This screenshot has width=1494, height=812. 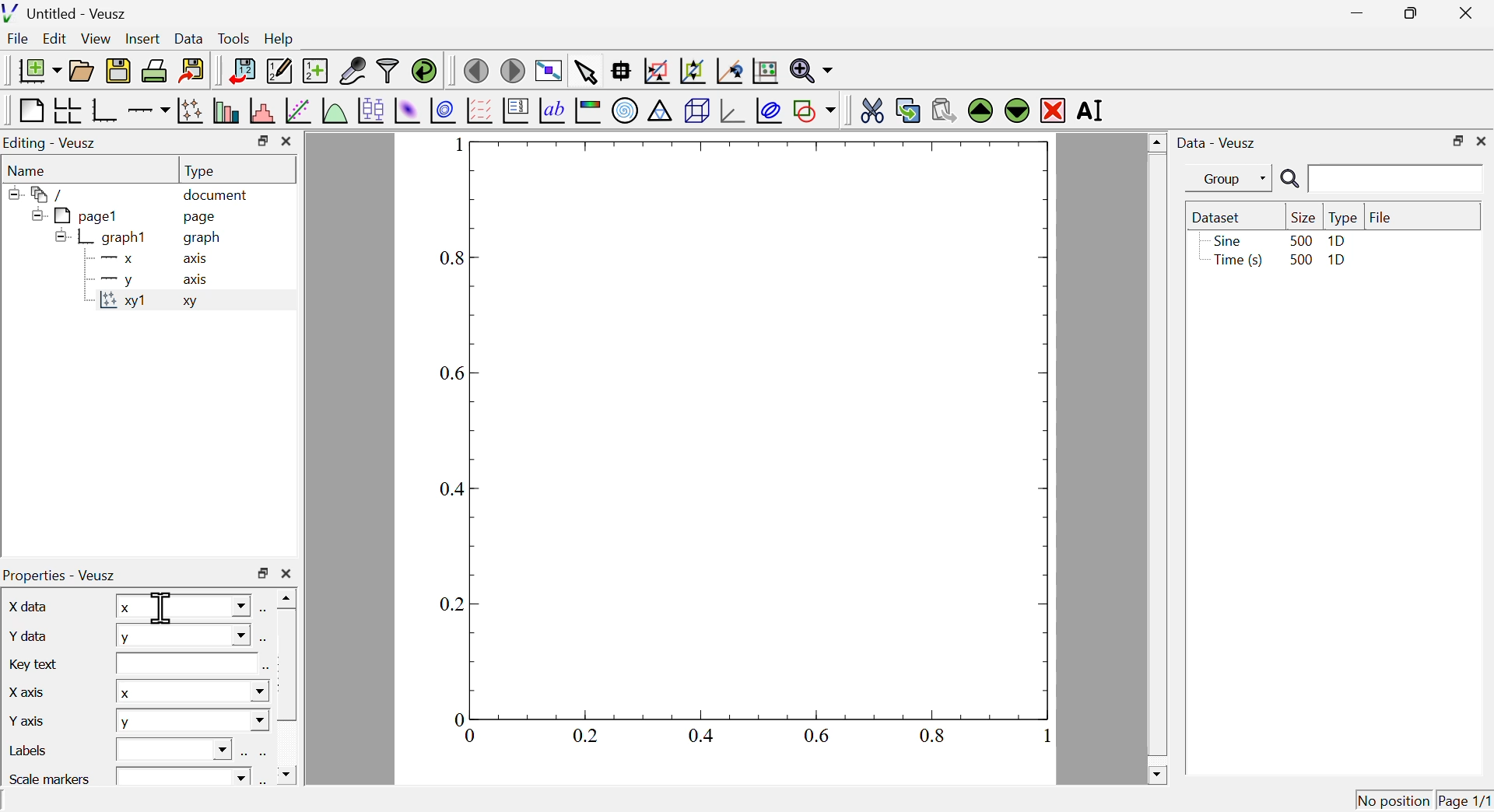 What do you see at coordinates (472, 737) in the screenshot?
I see `0` at bounding box center [472, 737].